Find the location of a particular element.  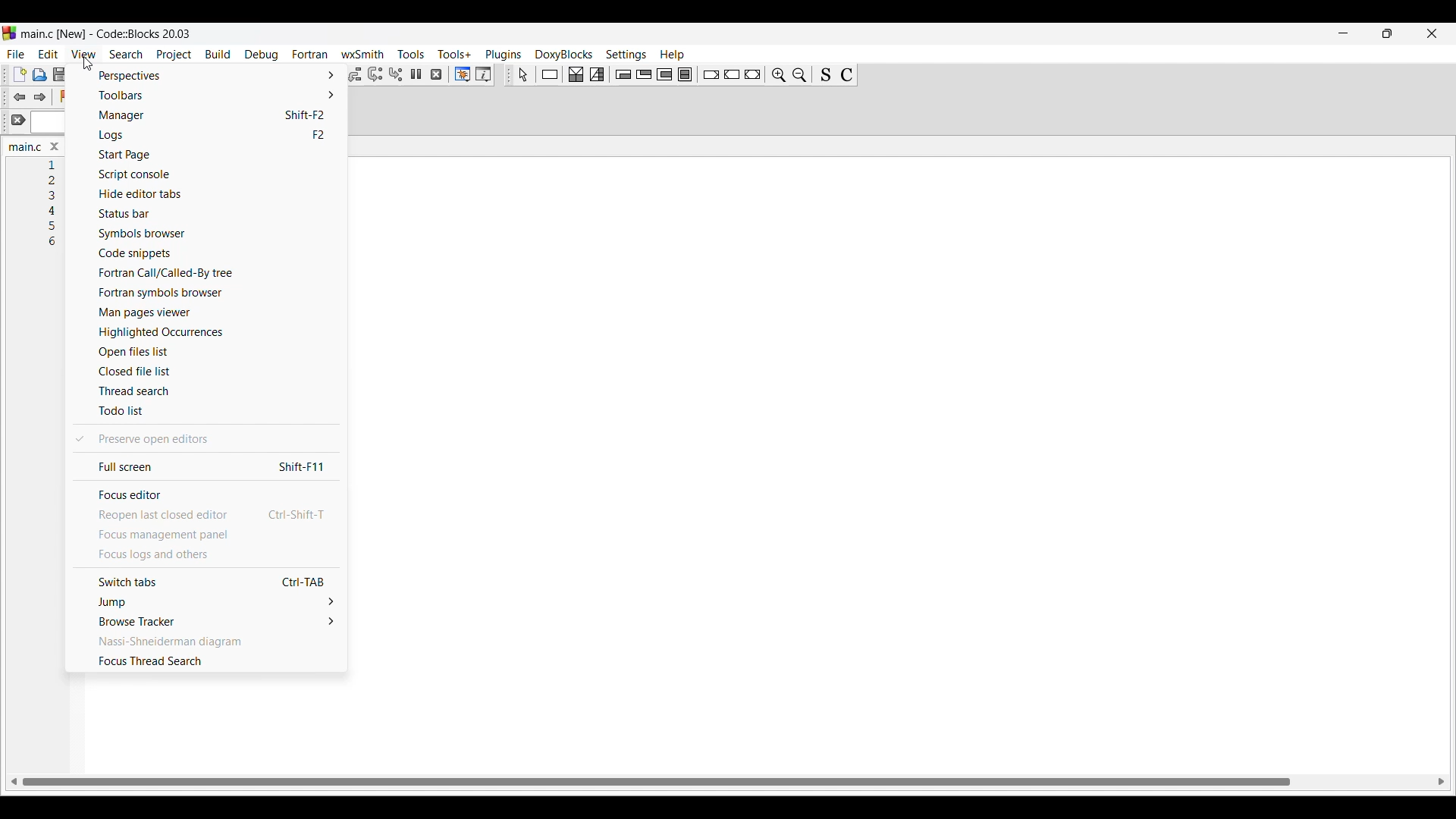

Script console is located at coordinates (209, 174).